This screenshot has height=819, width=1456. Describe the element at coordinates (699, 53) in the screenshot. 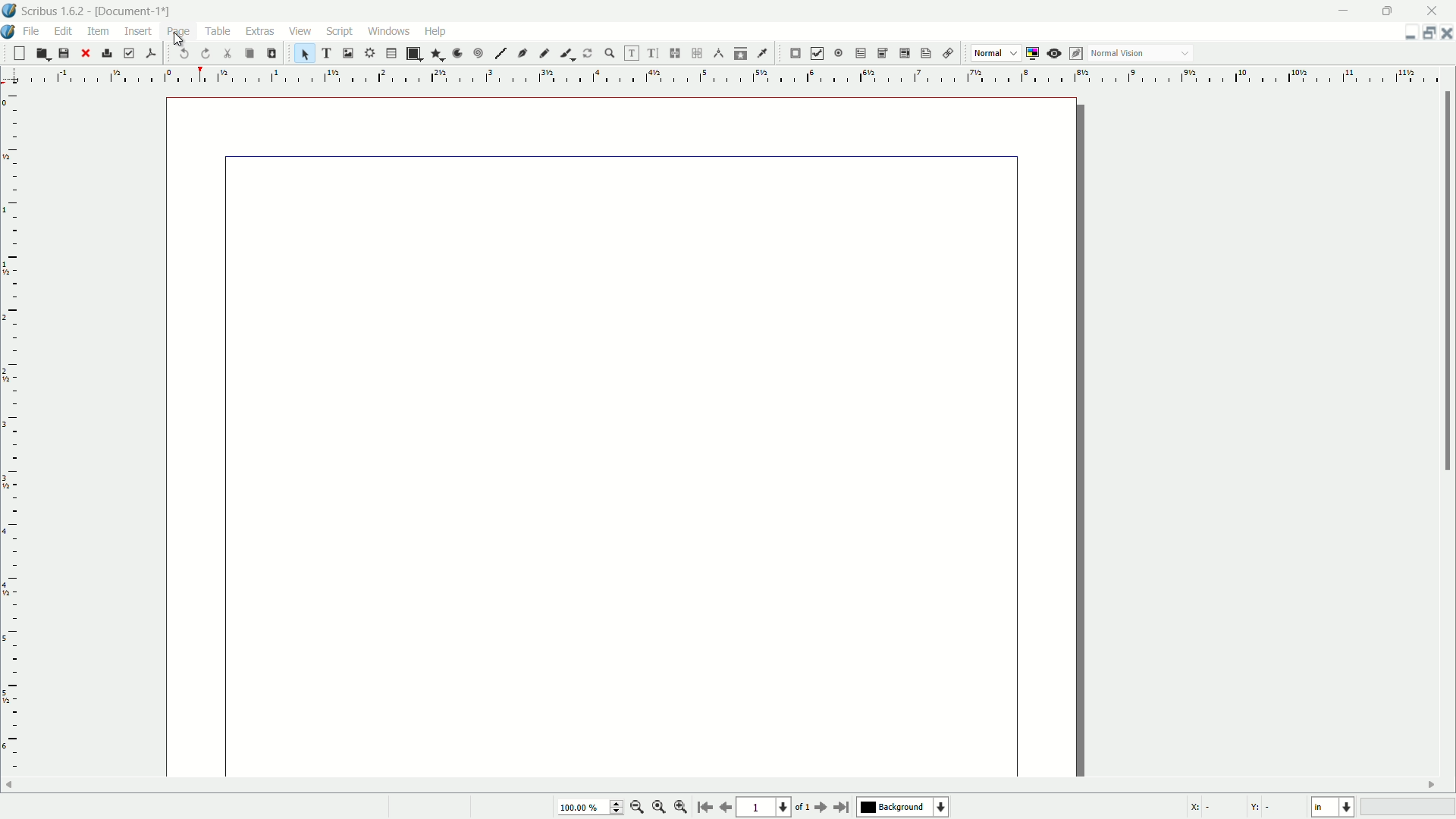

I see `unlink text frames` at that location.